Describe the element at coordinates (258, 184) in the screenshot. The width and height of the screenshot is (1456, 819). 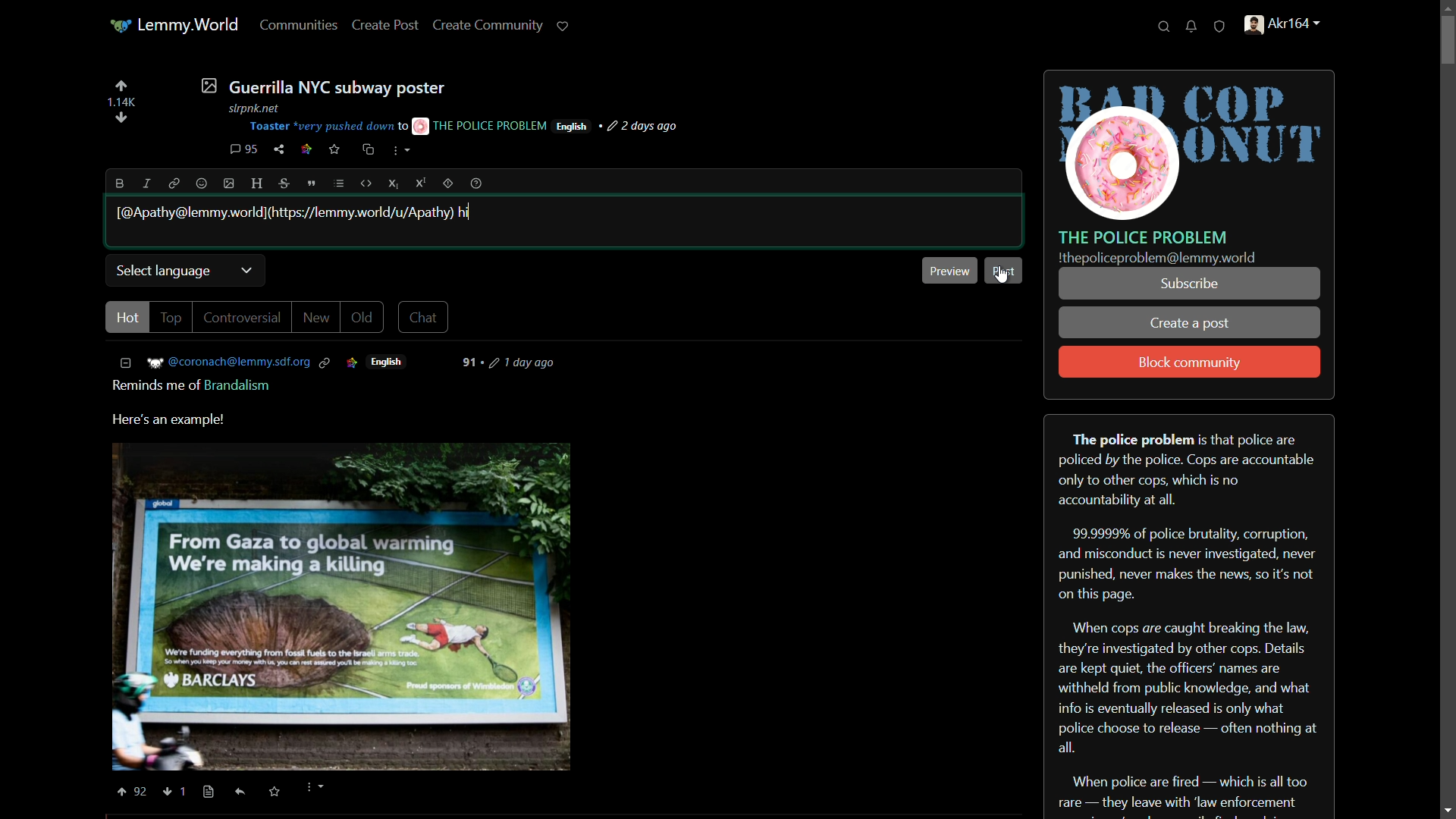
I see `header` at that location.